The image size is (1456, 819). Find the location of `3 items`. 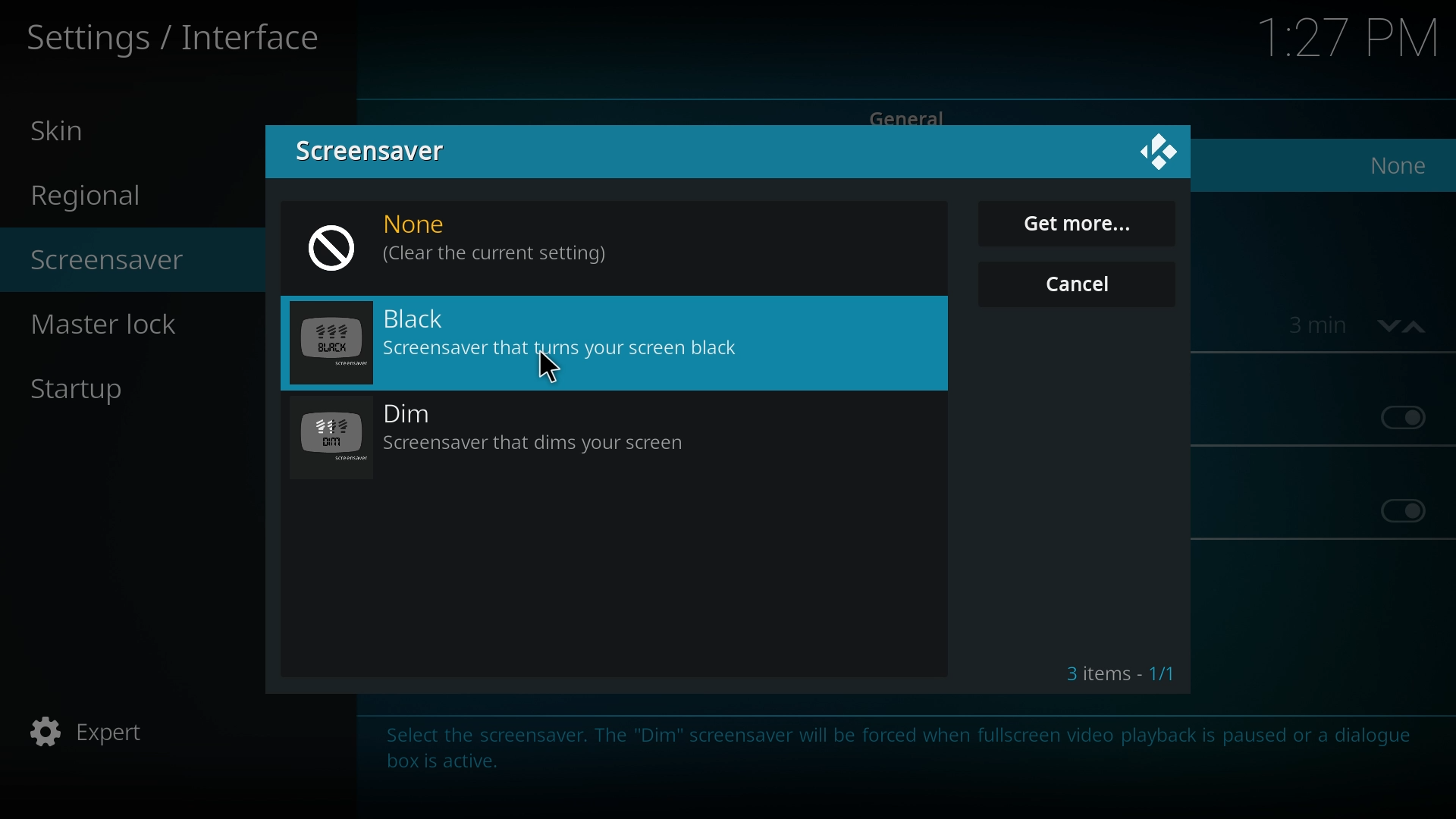

3 items is located at coordinates (1126, 673).